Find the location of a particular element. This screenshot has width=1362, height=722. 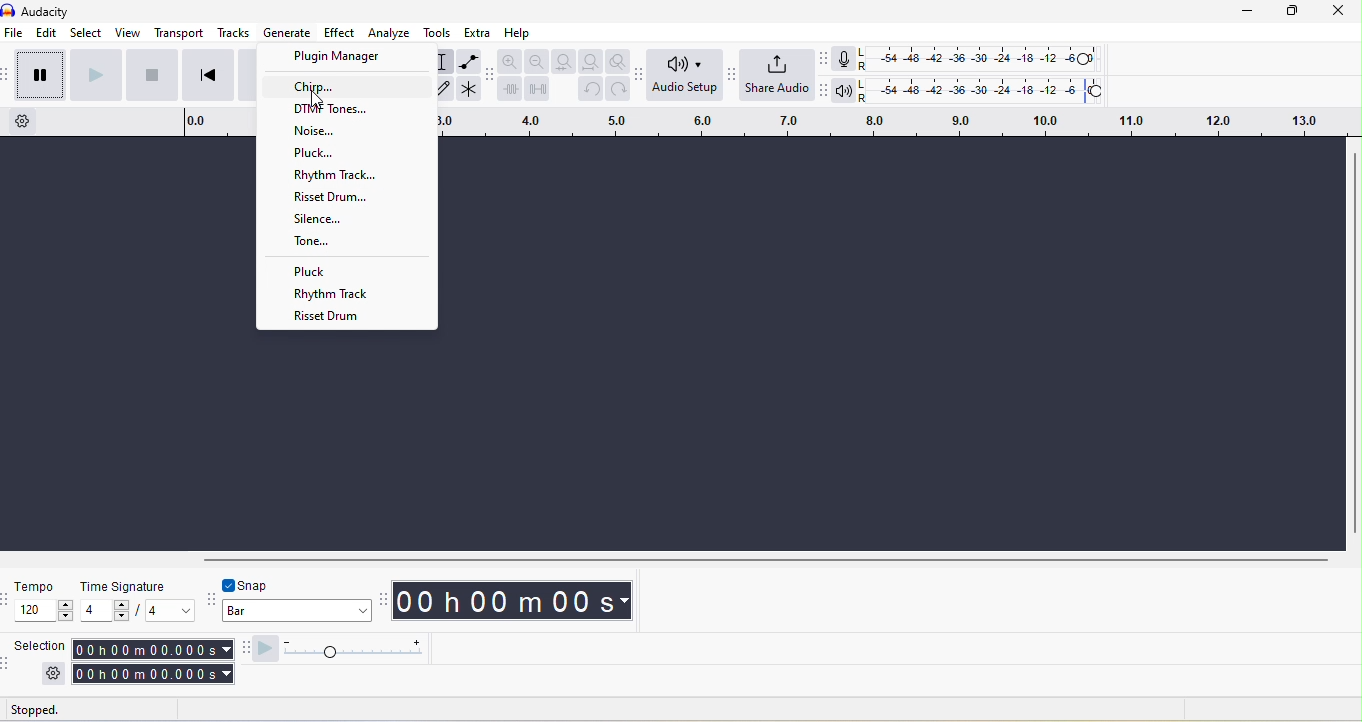

help is located at coordinates (520, 34).